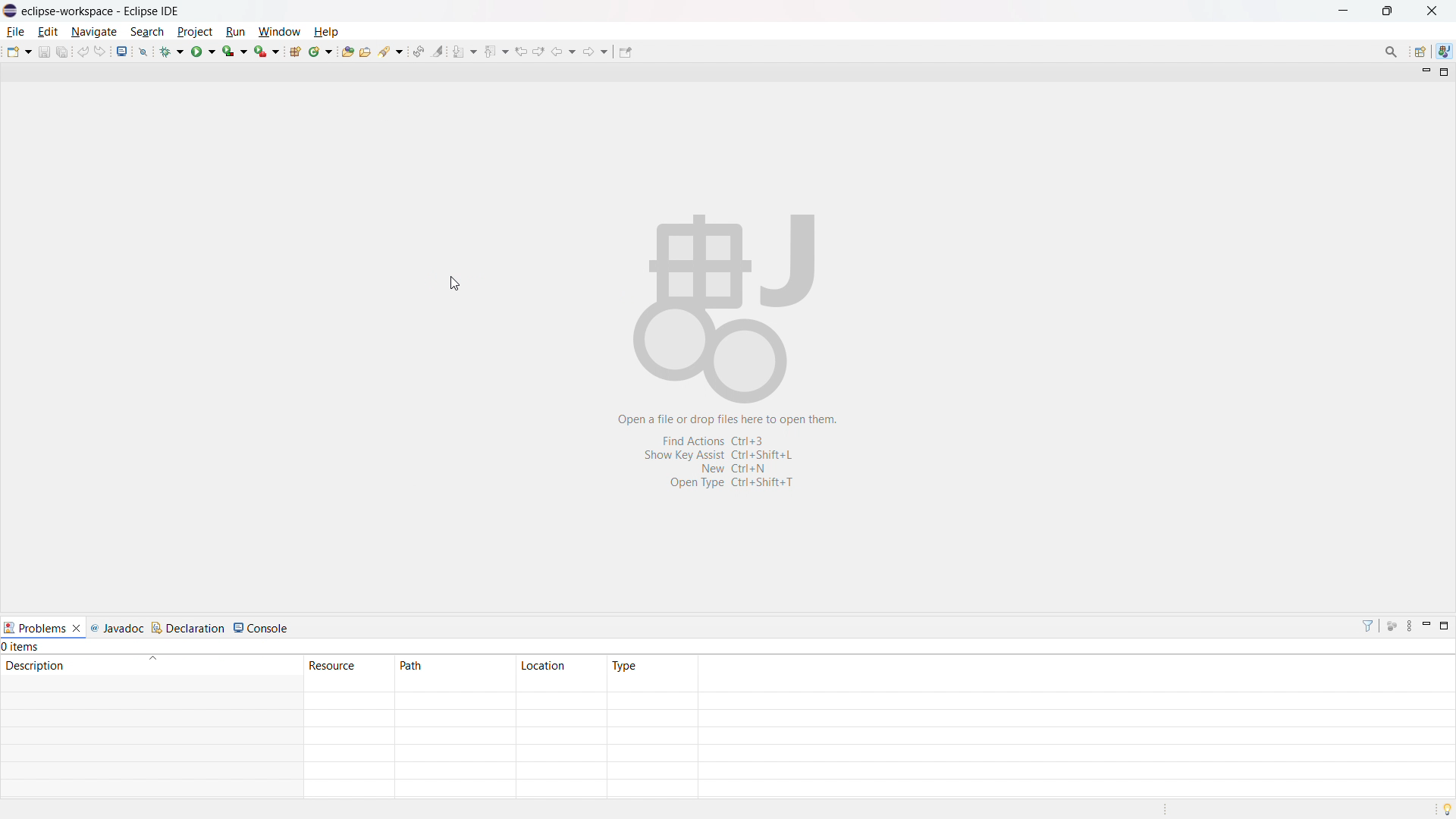 This screenshot has height=819, width=1456. What do you see at coordinates (100, 11) in the screenshot?
I see `eclipse-workspace-Eclipse IDE` at bounding box center [100, 11].